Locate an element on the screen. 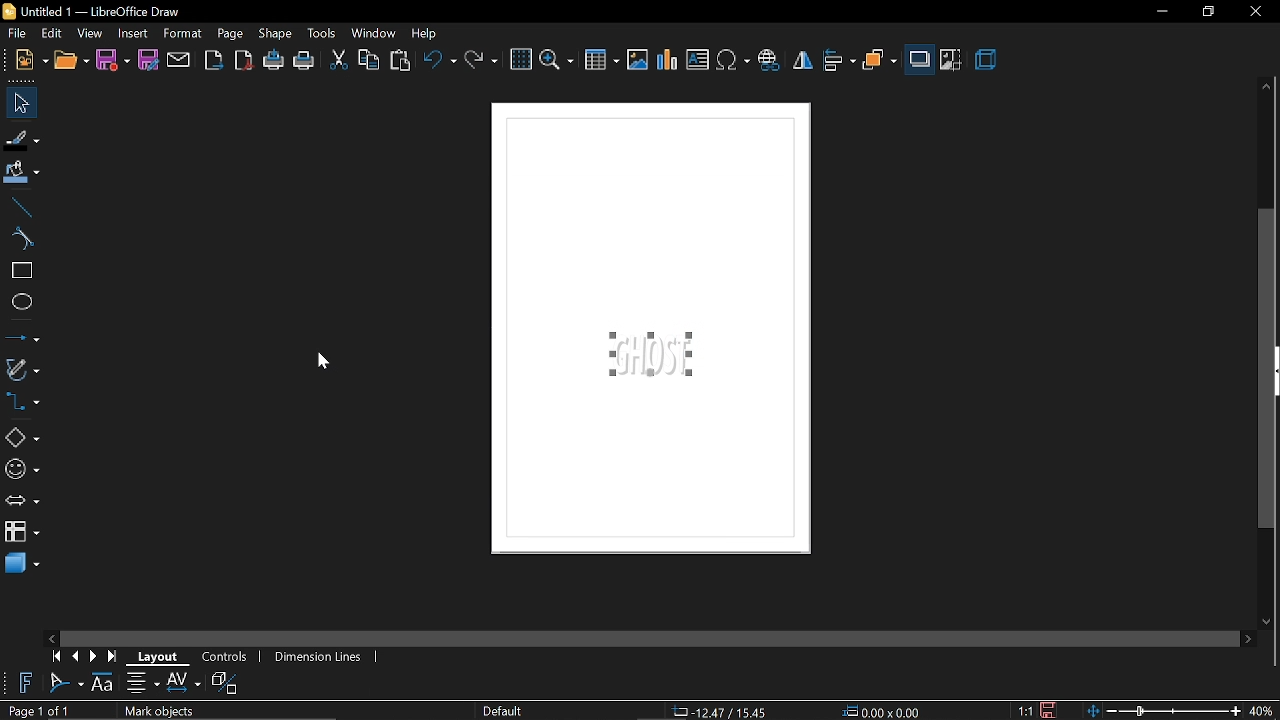 Image resolution: width=1280 pixels, height=720 pixels. Default is located at coordinates (503, 712).